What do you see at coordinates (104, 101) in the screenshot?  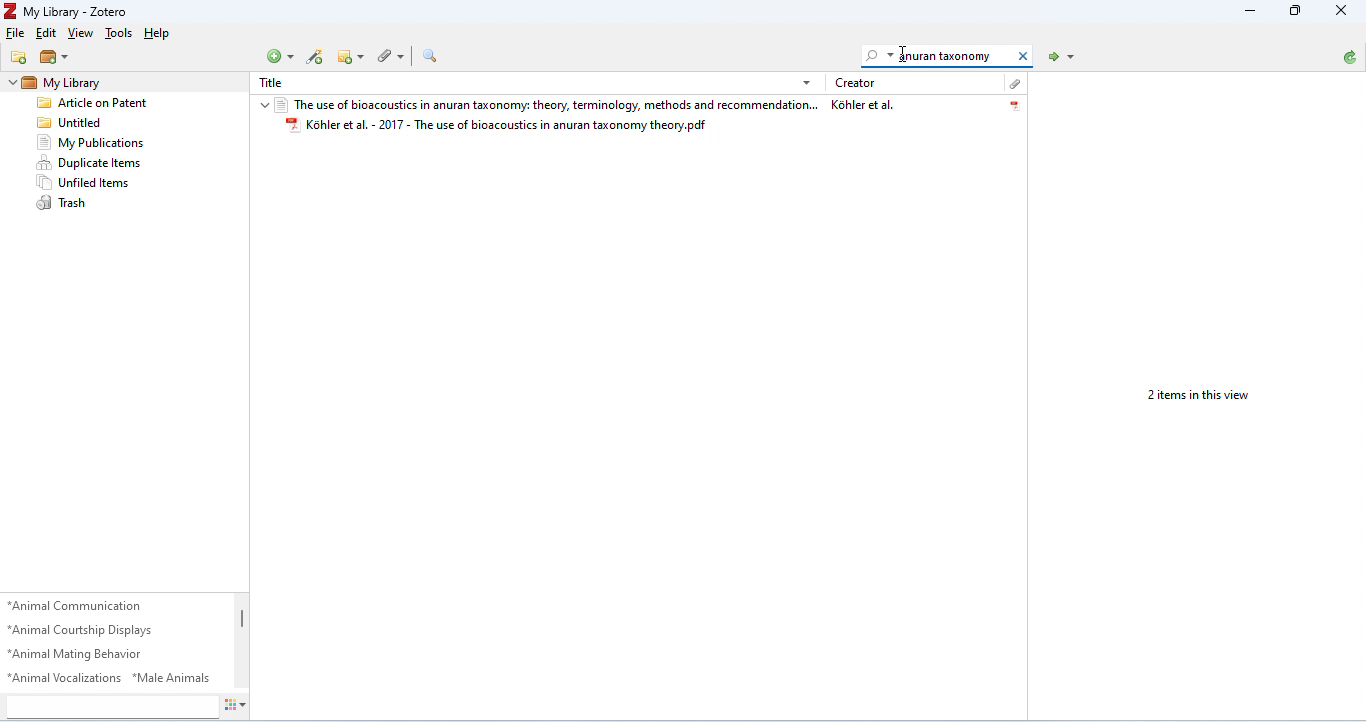 I see `[Za Article on Patent` at bounding box center [104, 101].